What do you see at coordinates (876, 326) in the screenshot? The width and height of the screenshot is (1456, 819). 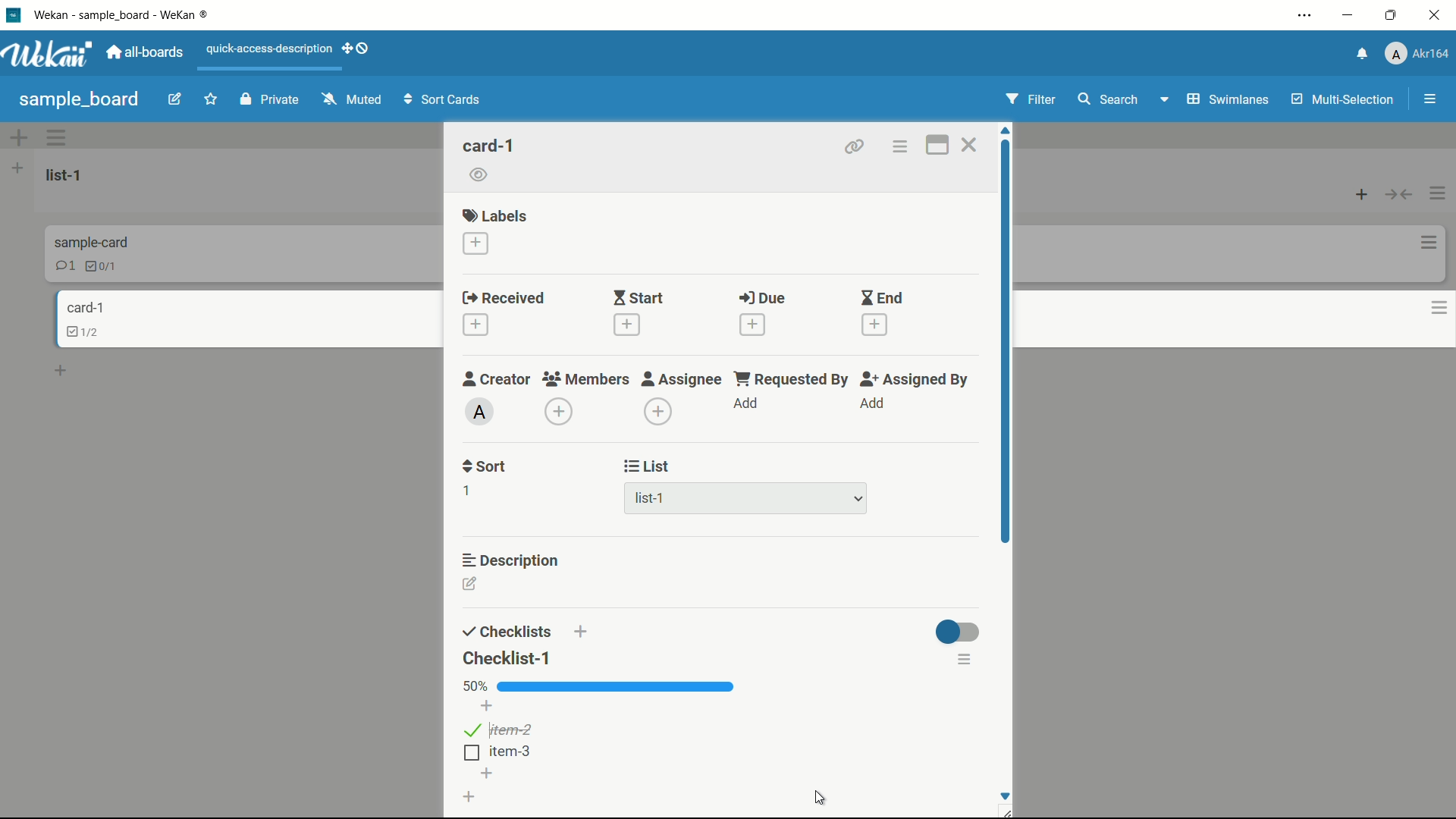 I see `add date` at bounding box center [876, 326].